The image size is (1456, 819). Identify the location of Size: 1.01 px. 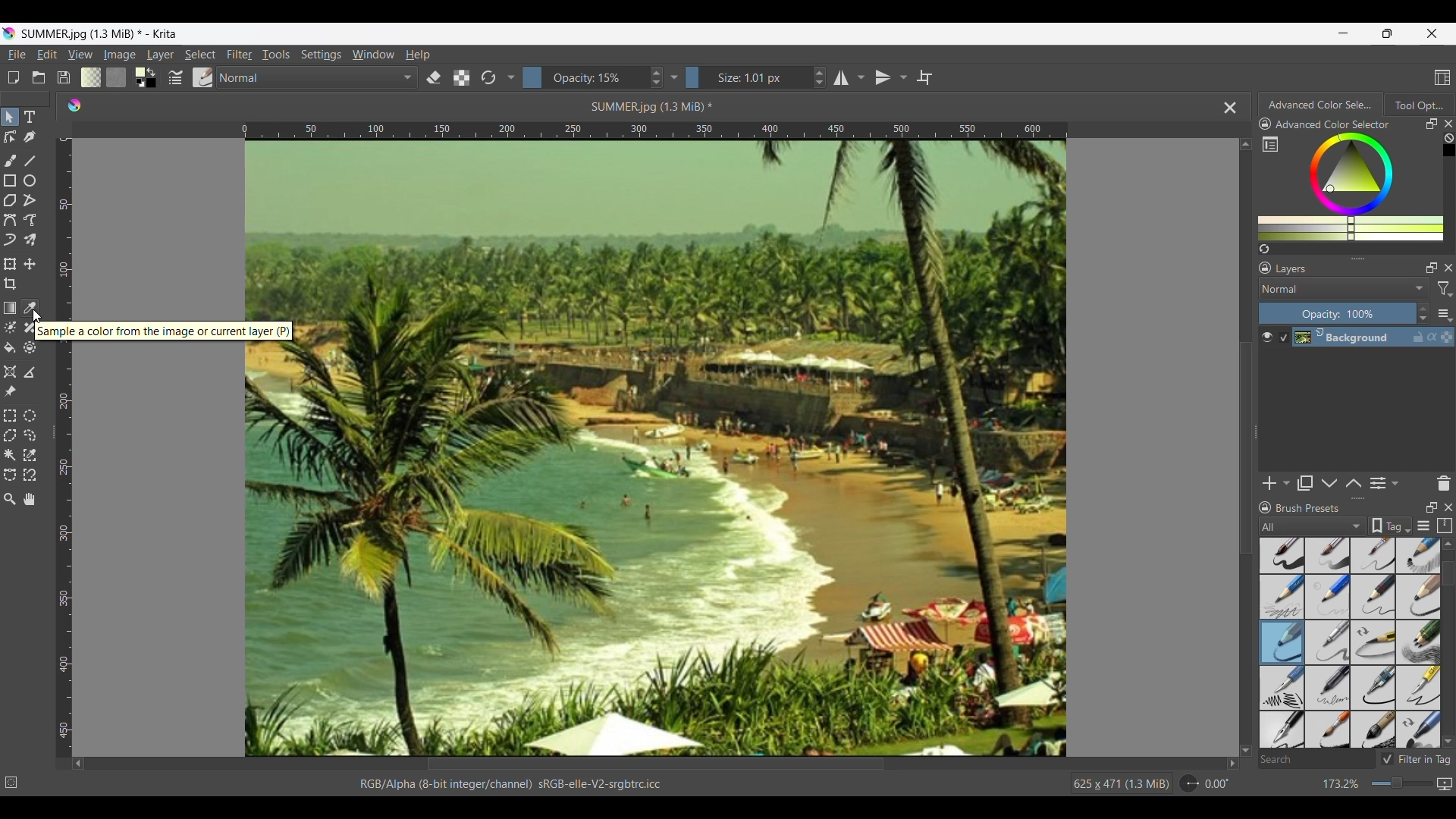
(747, 77).